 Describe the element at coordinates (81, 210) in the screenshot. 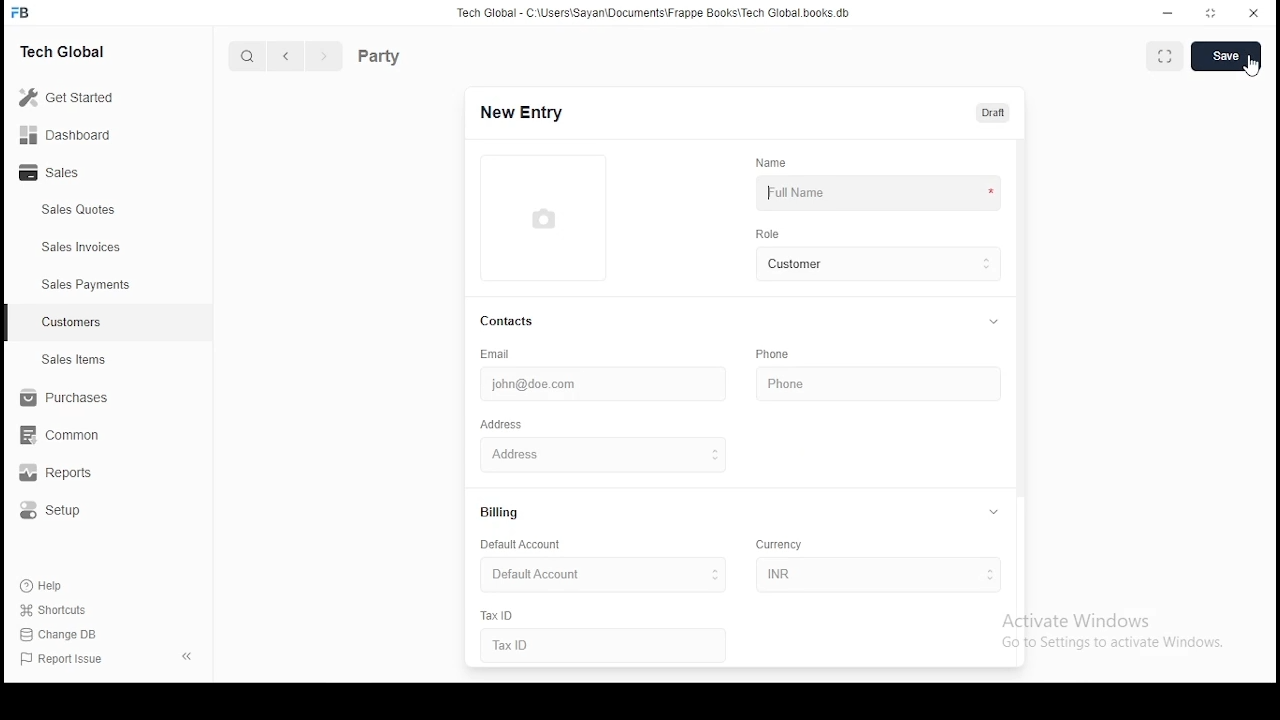

I see `sales quotes` at that location.